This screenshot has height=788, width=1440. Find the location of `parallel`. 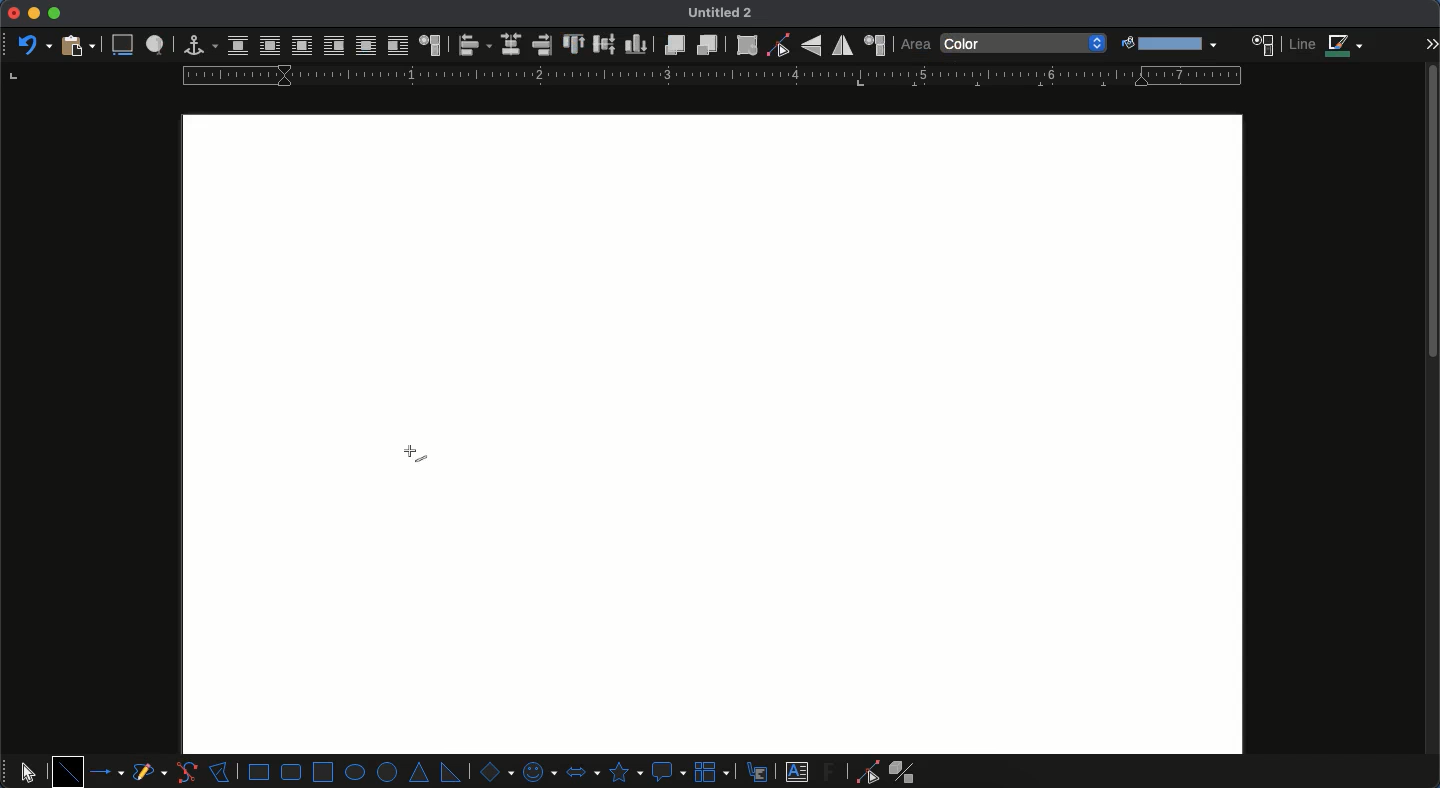

parallel is located at coordinates (270, 45).